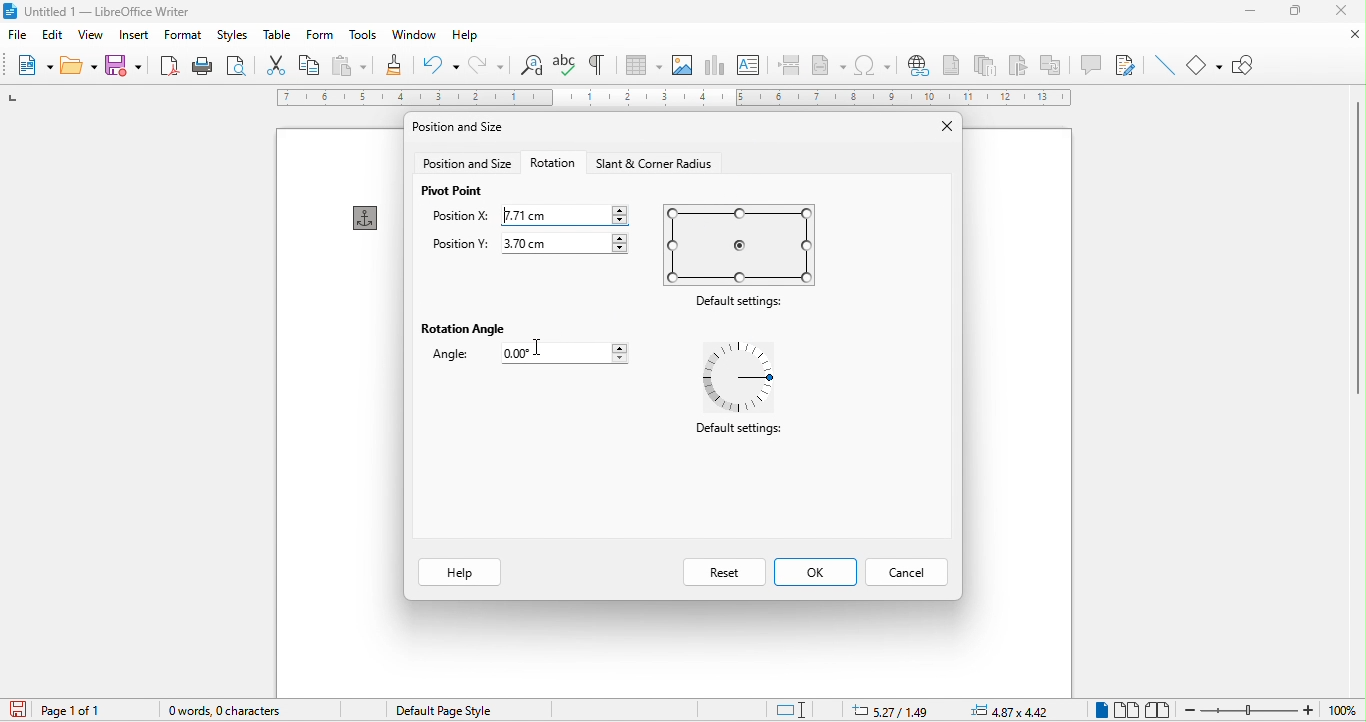  I want to click on cut, so click(278, 66).